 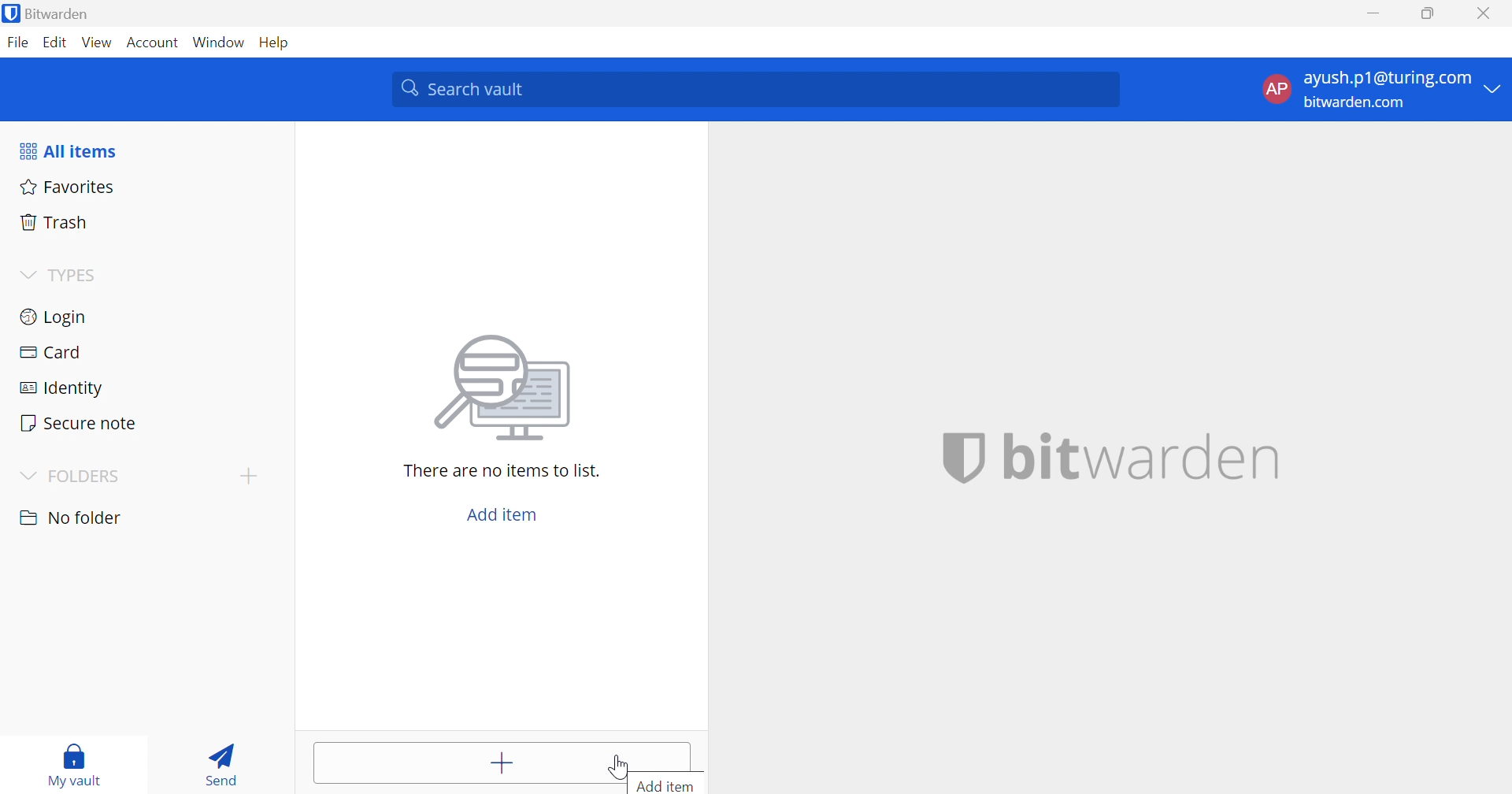 What do you see at coordinates (278, 42) in the screenshot?
I see `Help` at bounding box center [278, 42].